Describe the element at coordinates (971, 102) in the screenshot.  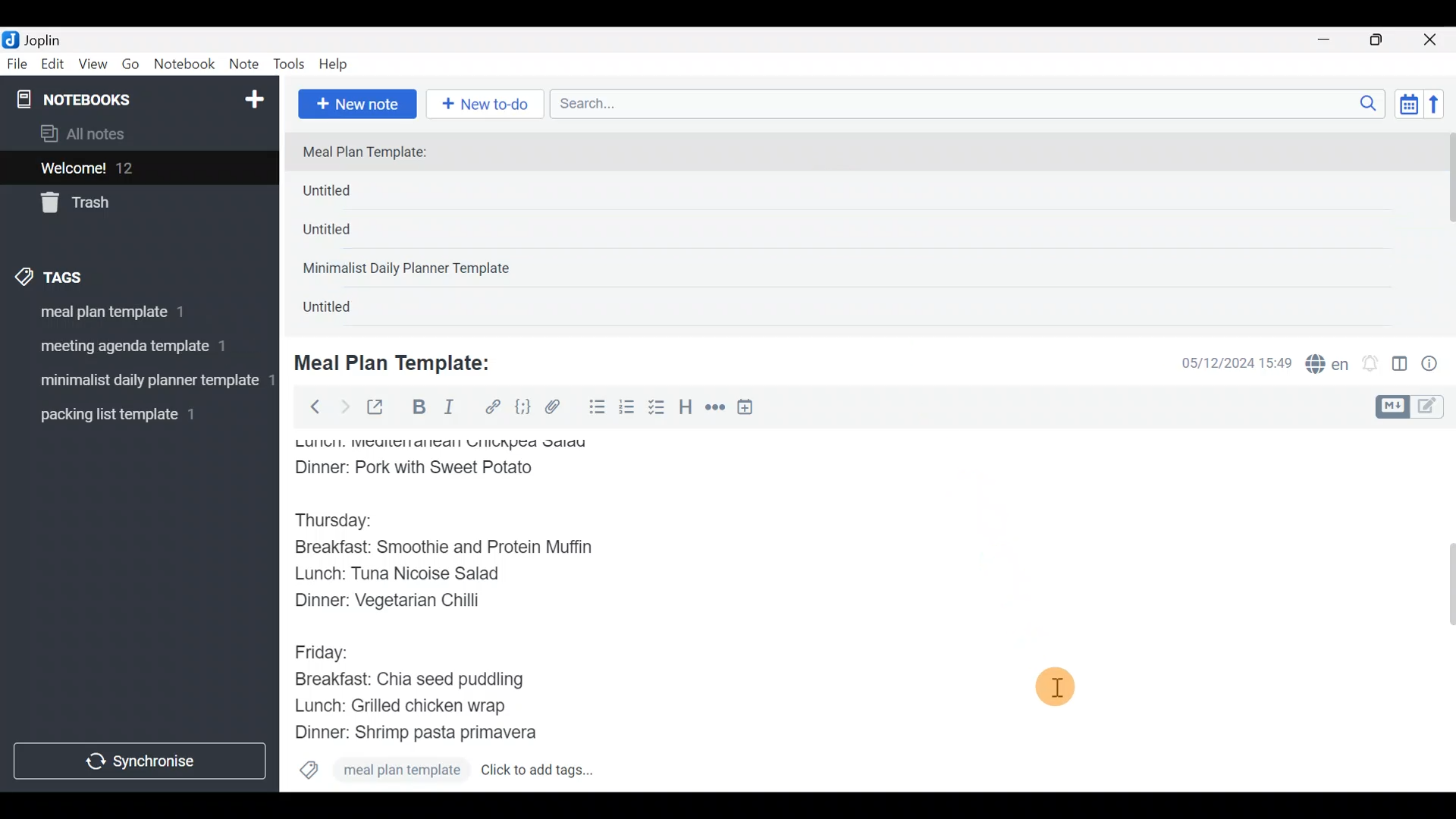
I see `Search bar` at that location.